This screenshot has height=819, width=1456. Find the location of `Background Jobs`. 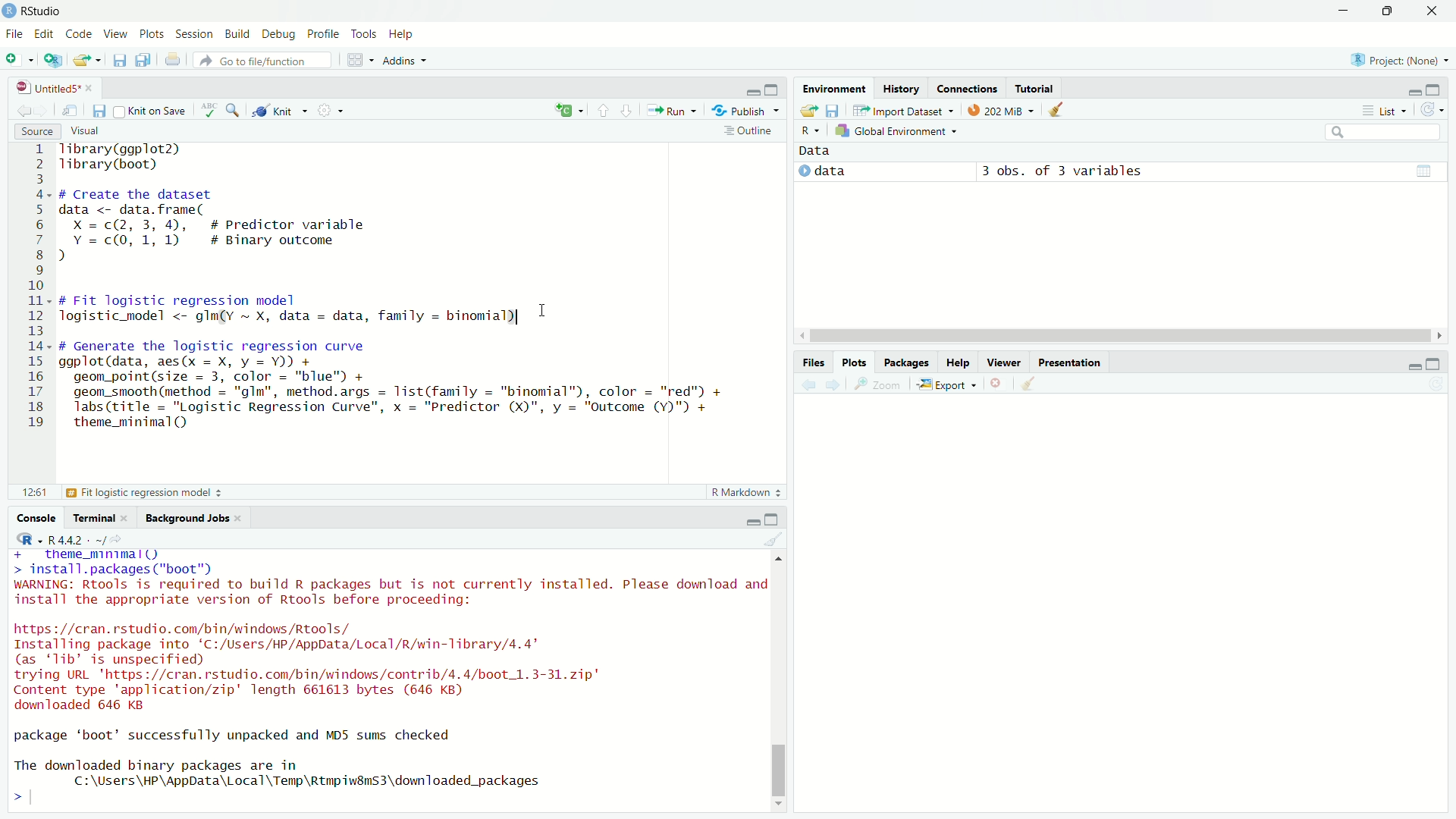

Background Jobs is located at coordinates (184, 518).